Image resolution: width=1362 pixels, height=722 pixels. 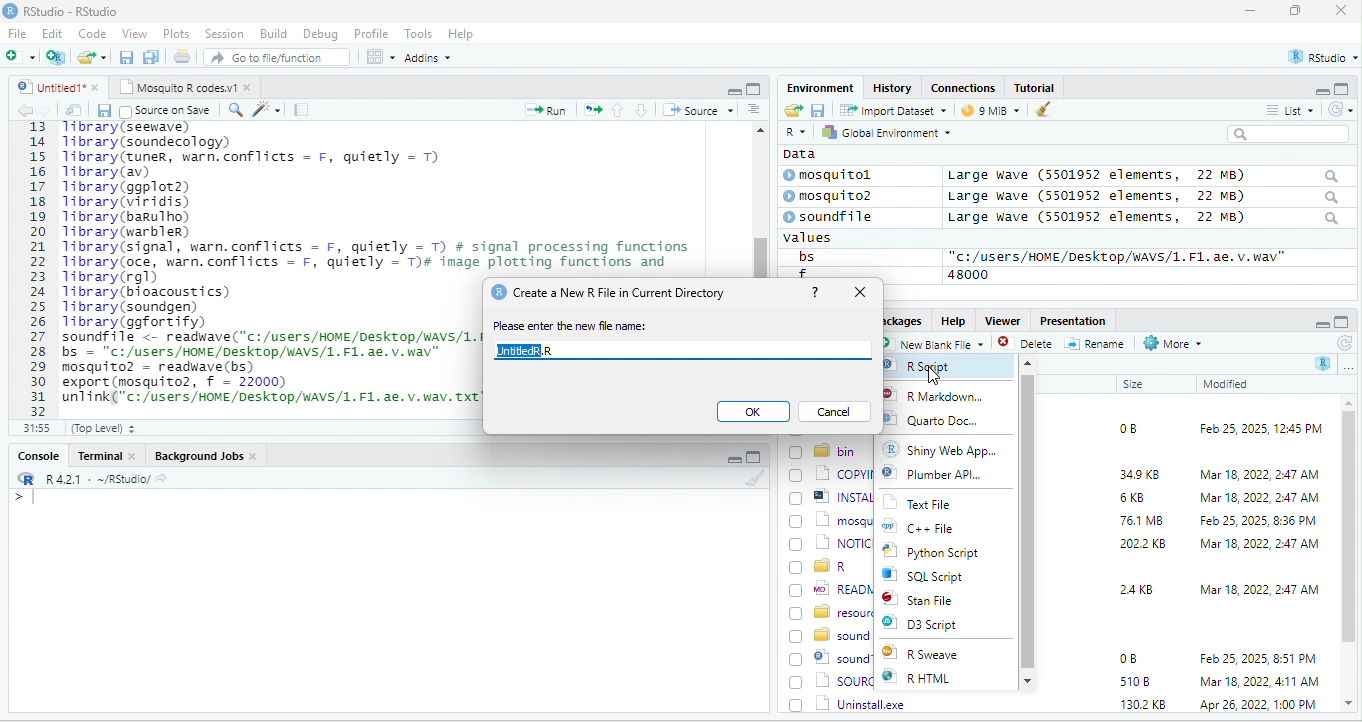 I want to click on SQL Script, so click(x=935, y=577).